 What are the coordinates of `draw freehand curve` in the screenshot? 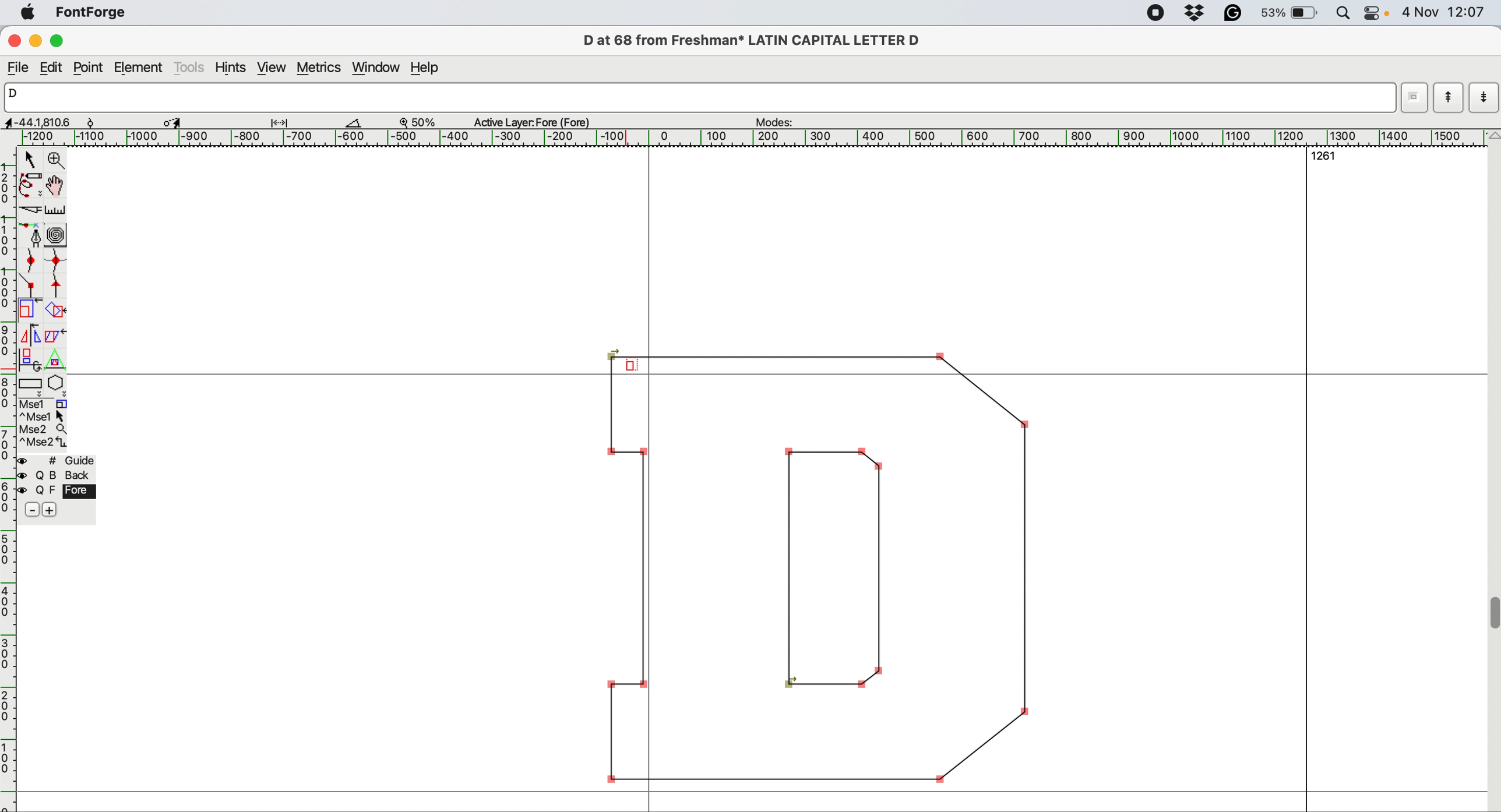 It's located at (30, 185).